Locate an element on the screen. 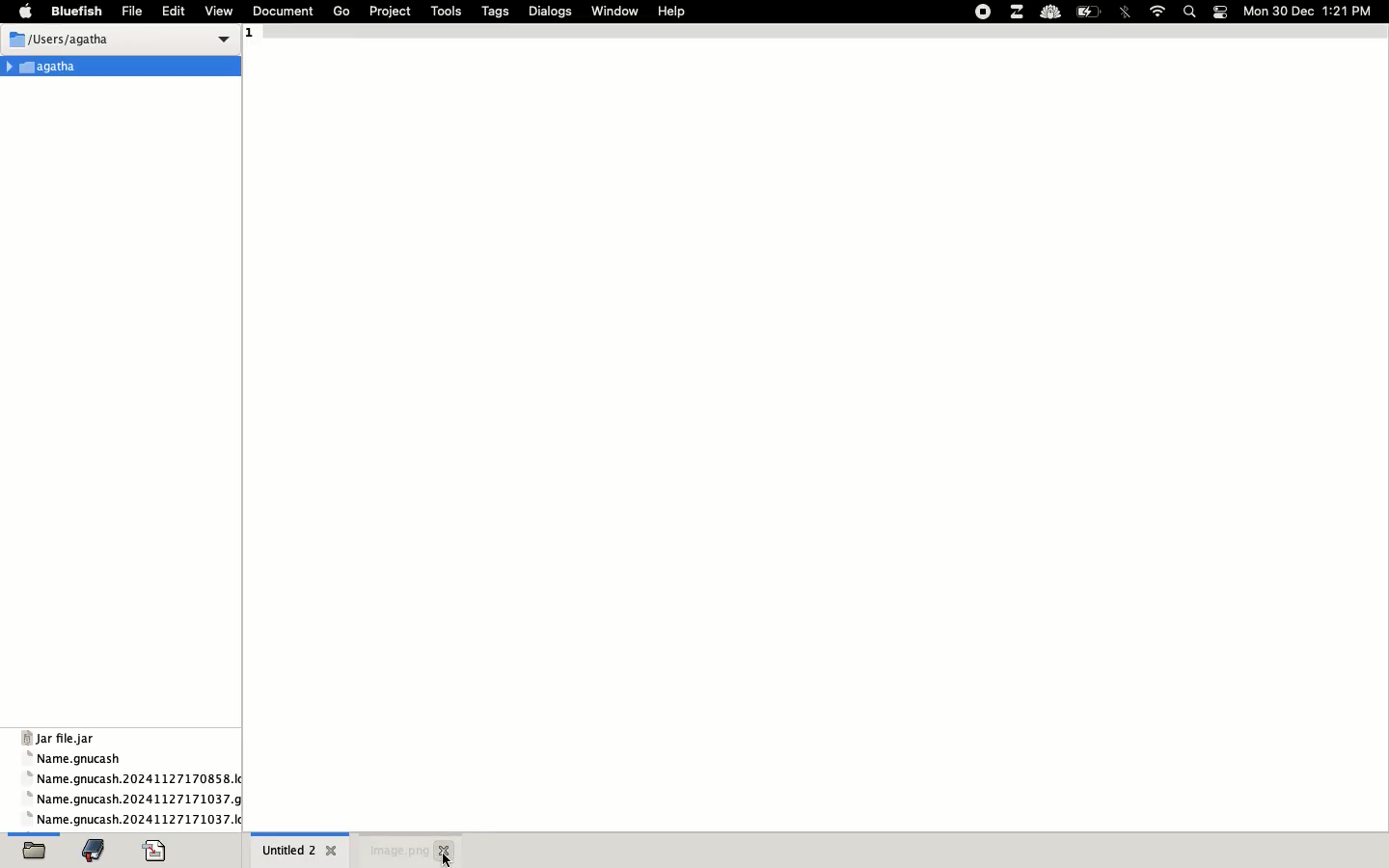 The image size is (1389, 868). Agatha is located at coordinates (123, 66).